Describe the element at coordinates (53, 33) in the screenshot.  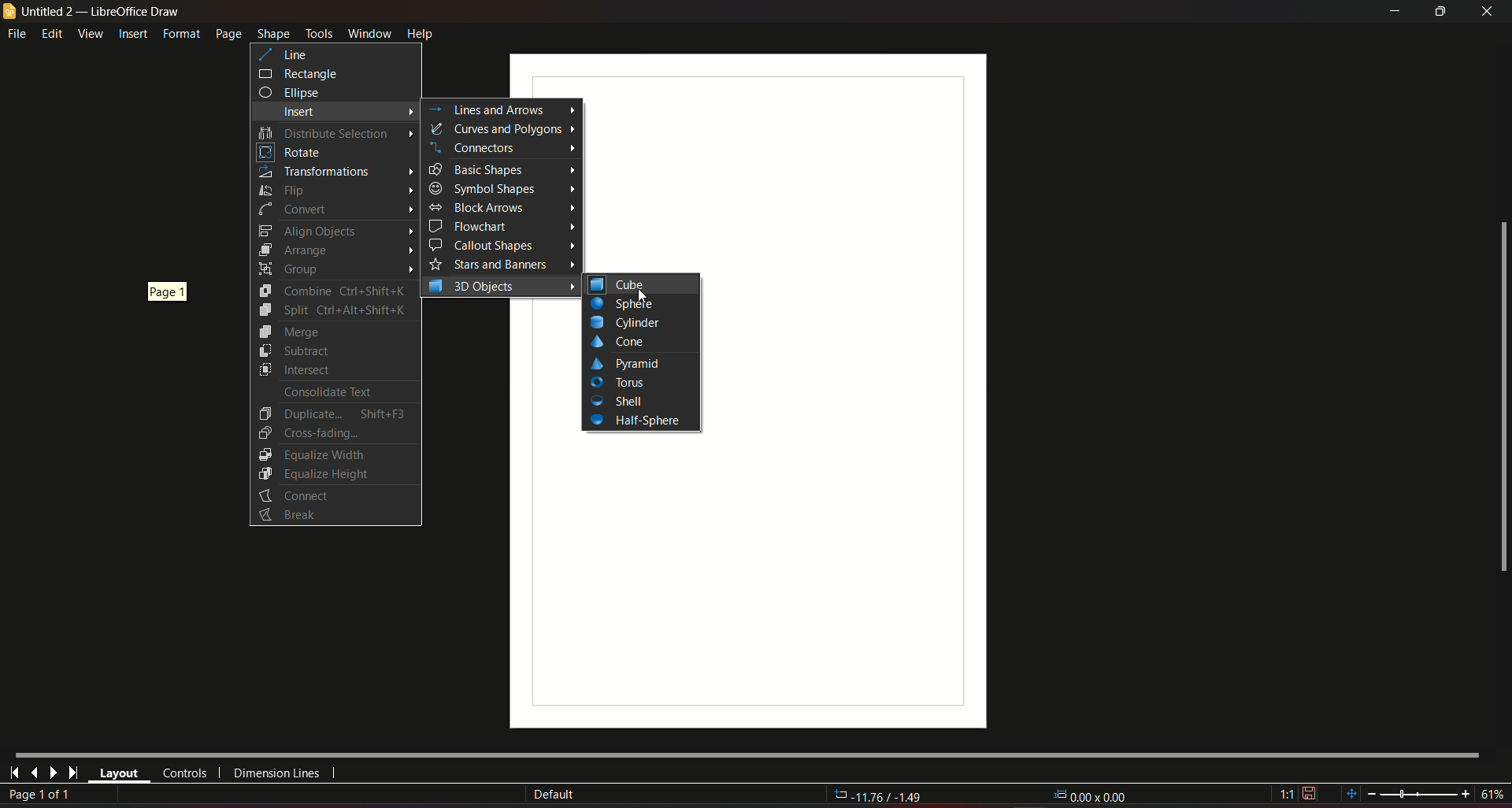
I see `edit` at that location.